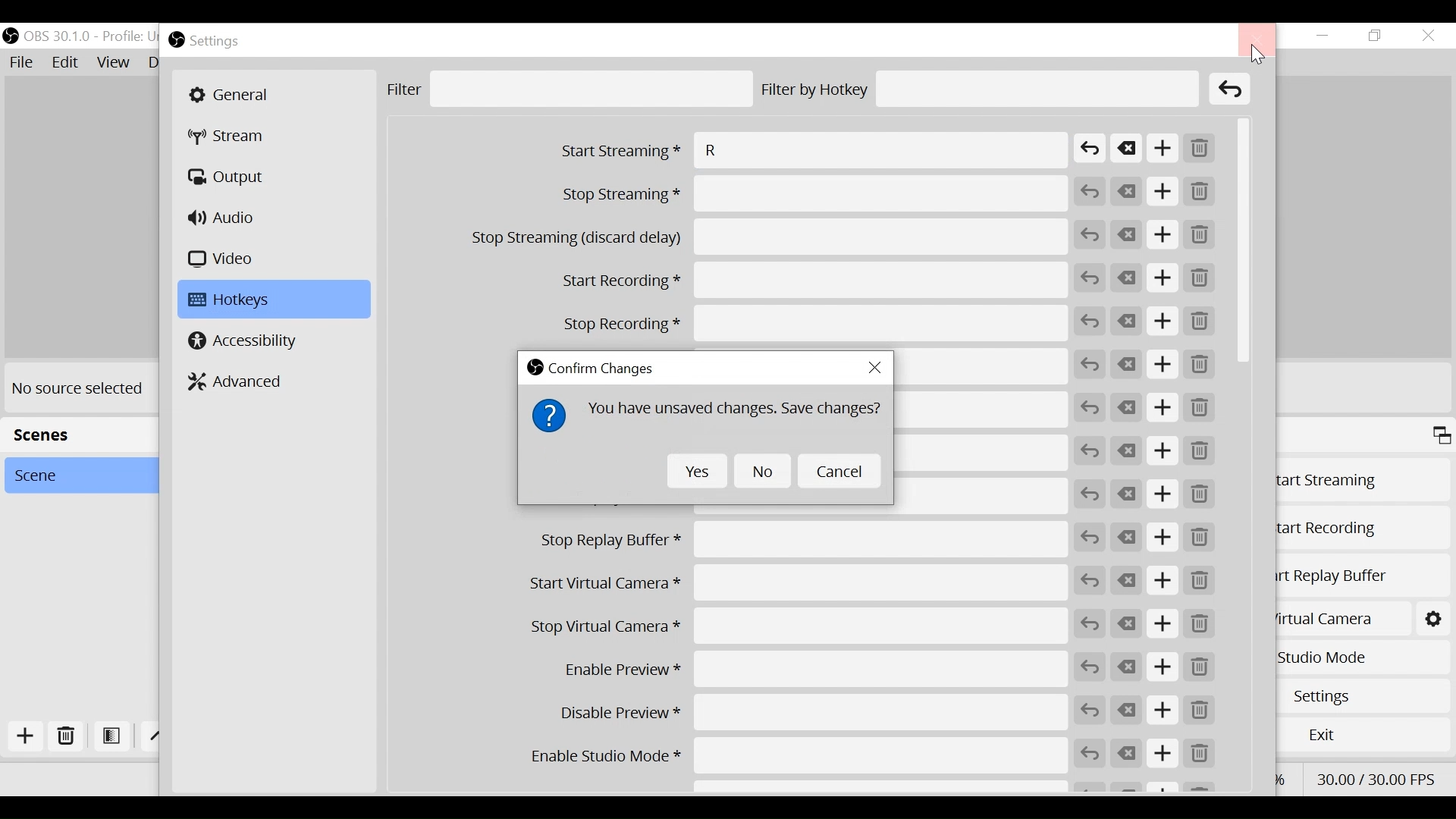 Image resolution: width=1456 pixels, height=819 pixels. Describe the element at coordinates (1129, 711) in the screenshot. I see `Clear` at that location.